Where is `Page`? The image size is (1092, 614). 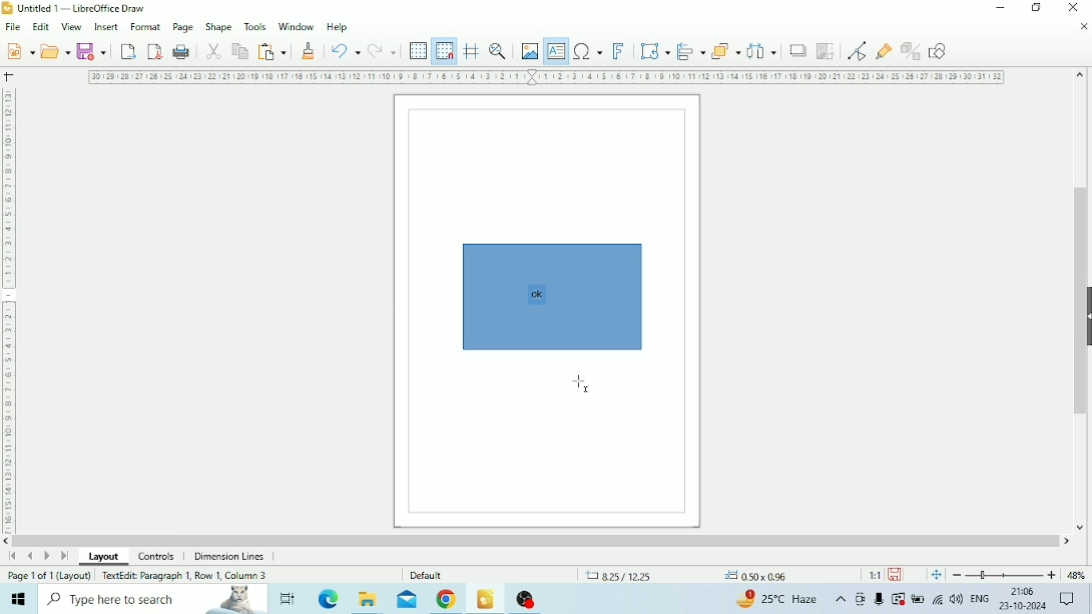 Page is located at coordinates (182, 26).